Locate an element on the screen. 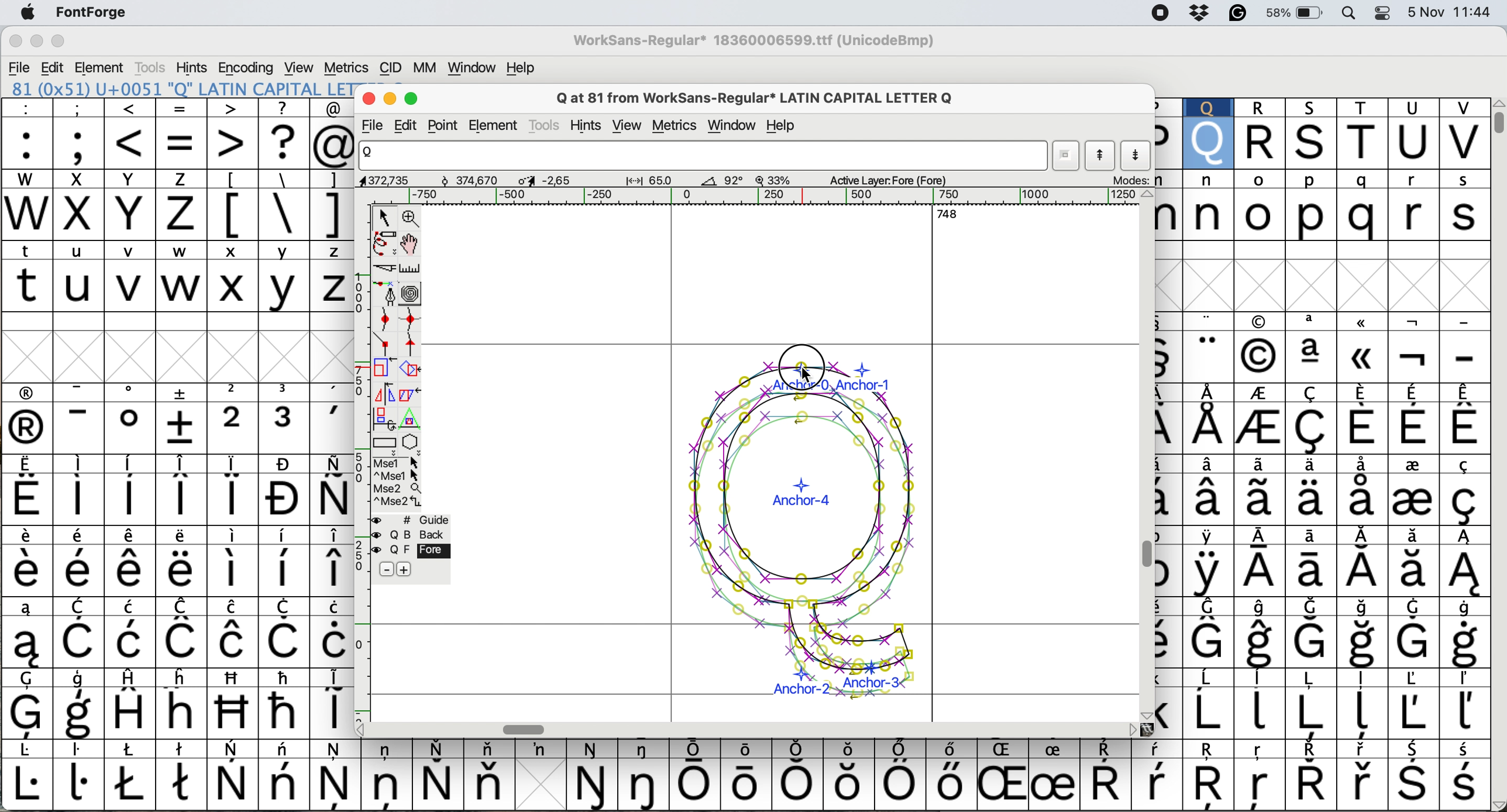  flip the selection is located at coordinates (384, 394).